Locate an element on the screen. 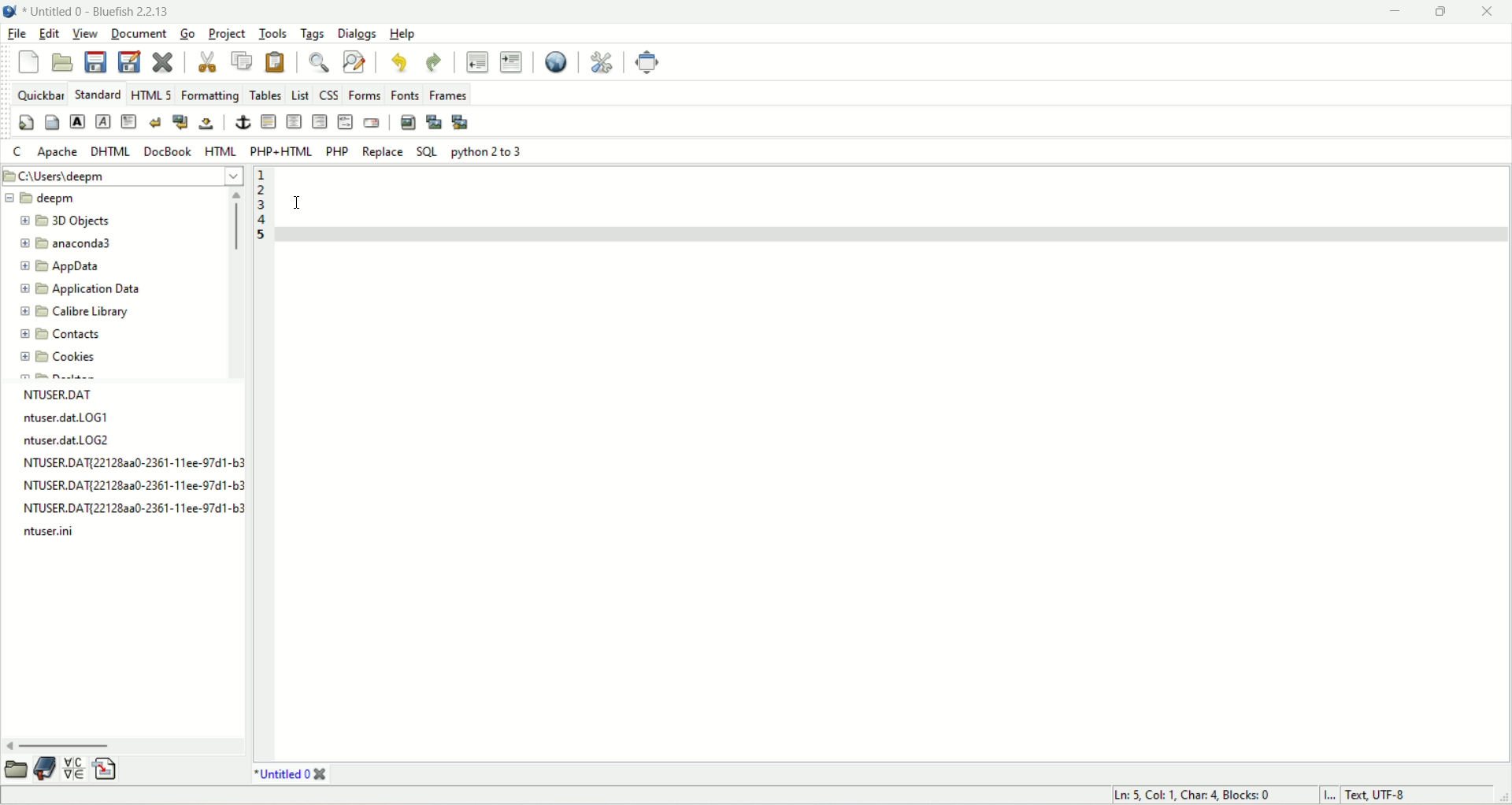 The height and width of the screenshot is (805, 1512). formatting is located at coordinates (212, 93).